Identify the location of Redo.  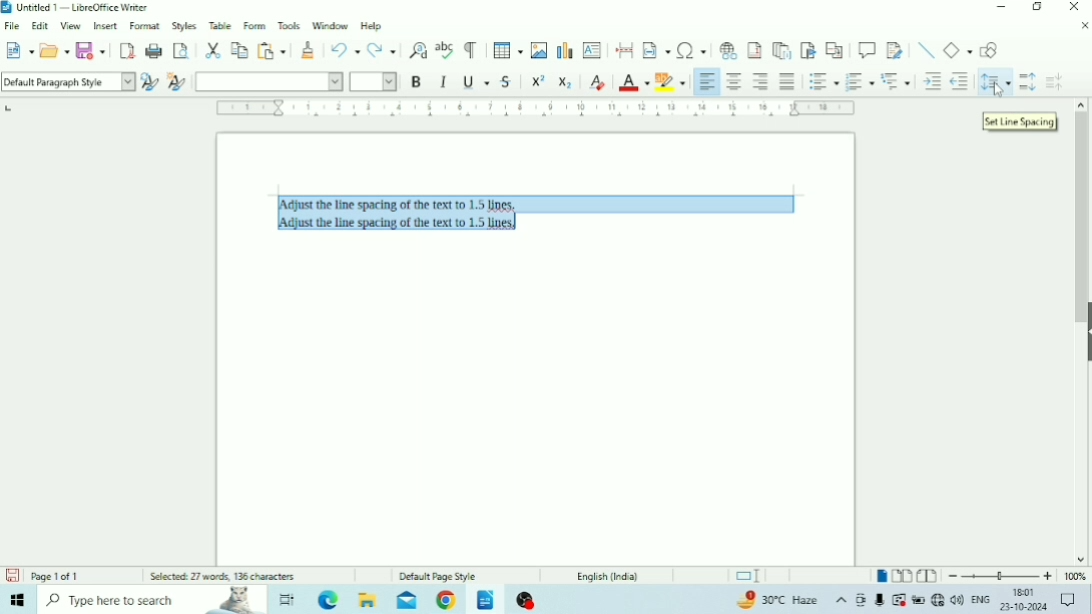
(382, 50).